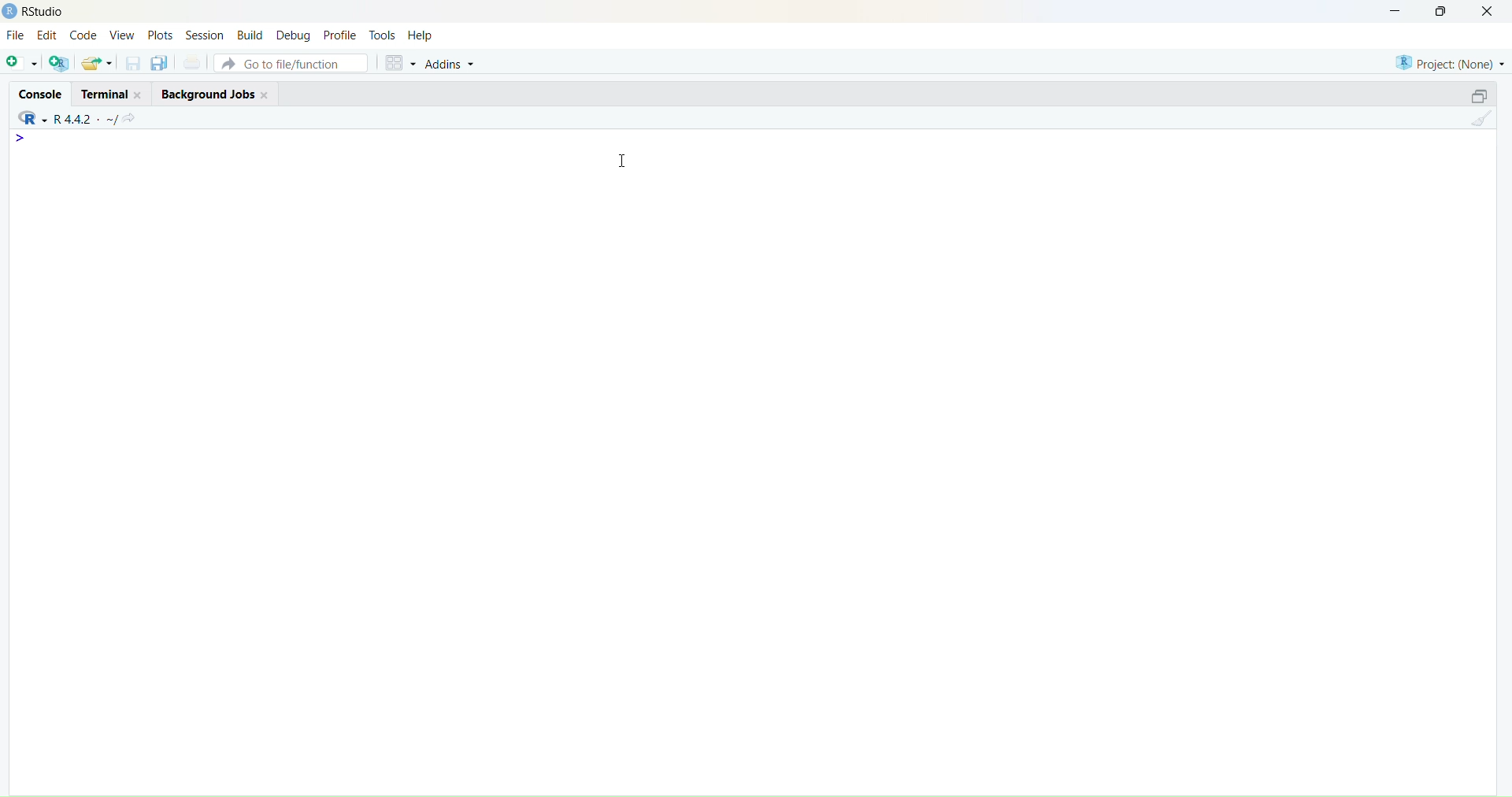  I want to click on R.4.4.2~/, so click(83, 118).